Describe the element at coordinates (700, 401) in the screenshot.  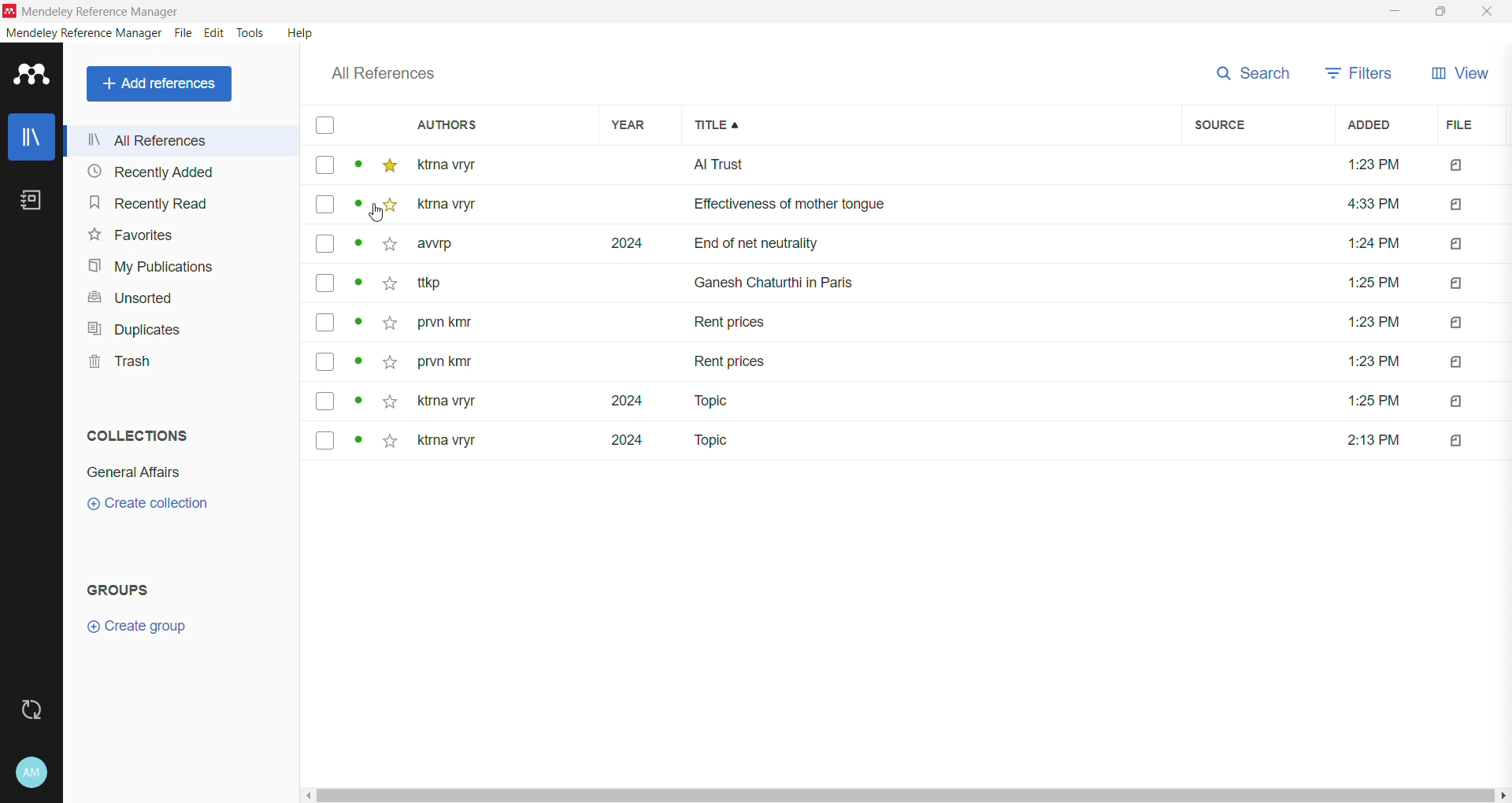
I see `Topic` at that location.